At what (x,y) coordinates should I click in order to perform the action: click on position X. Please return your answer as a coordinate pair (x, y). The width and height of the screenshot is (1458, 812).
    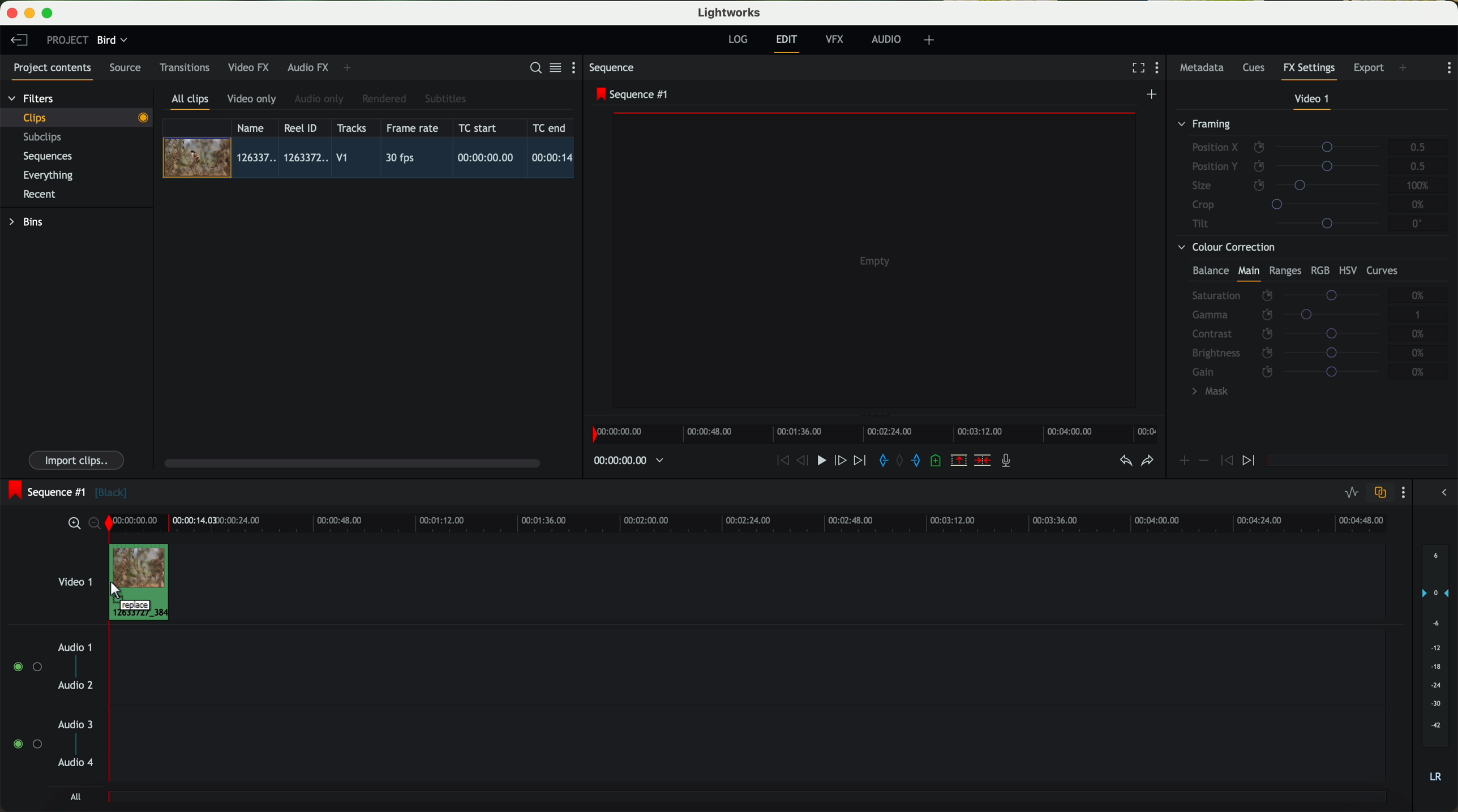
    Looking at the image, I should click on (1290, 147).